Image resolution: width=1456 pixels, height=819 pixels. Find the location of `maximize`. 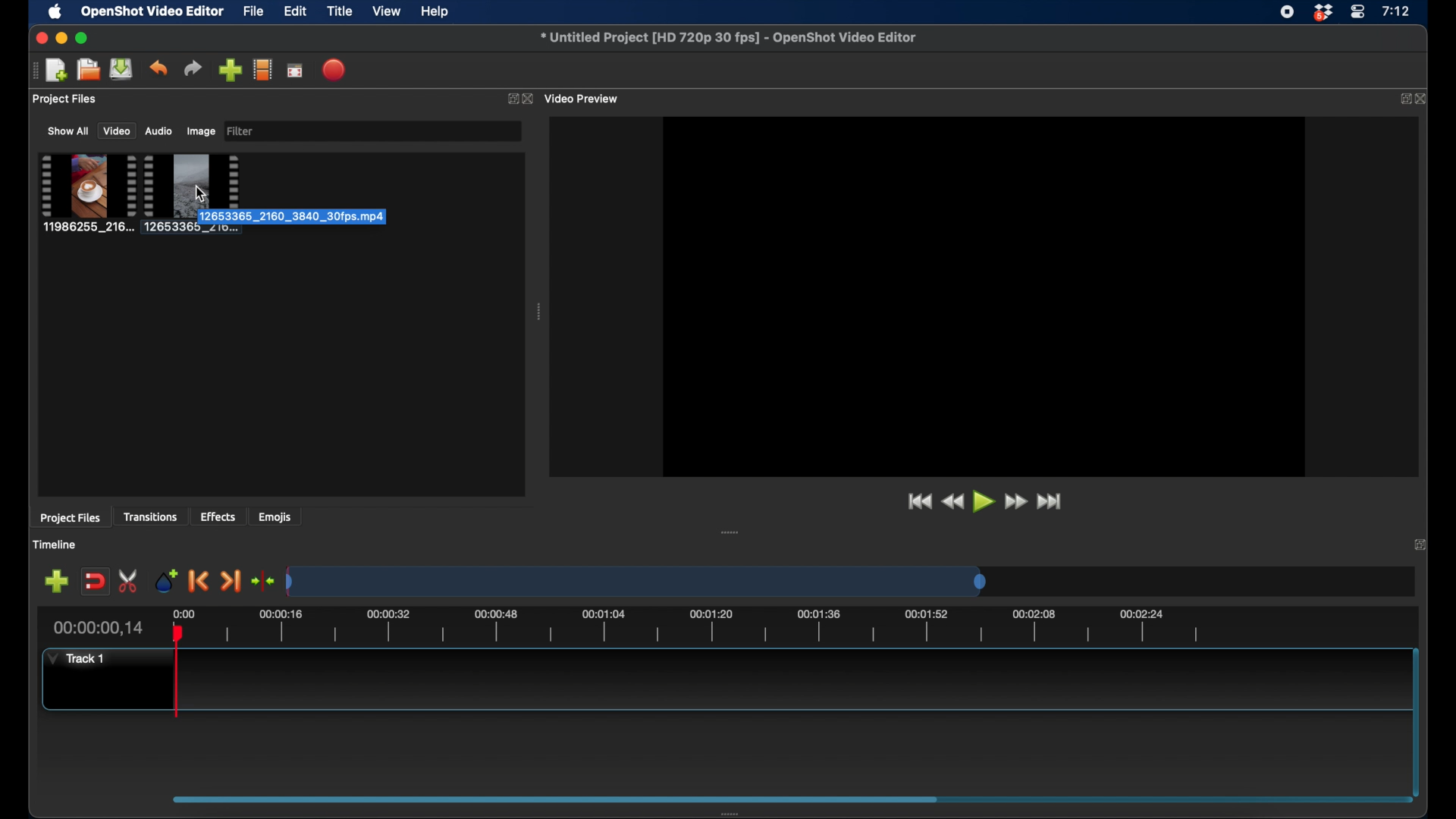

maximize is located at coordinates (83, 39).